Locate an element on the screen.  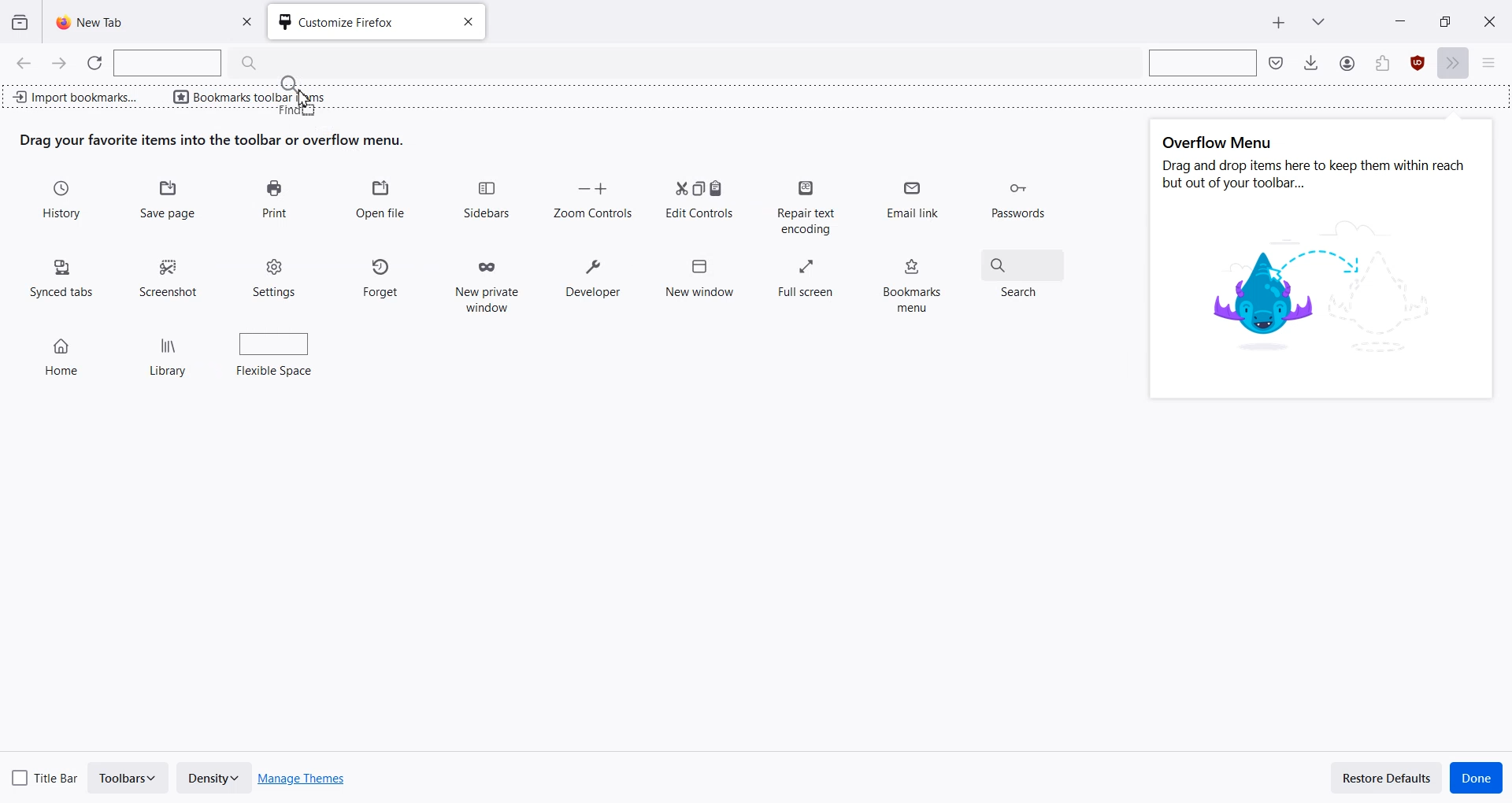
Forget is located at coordinates (382, 275).